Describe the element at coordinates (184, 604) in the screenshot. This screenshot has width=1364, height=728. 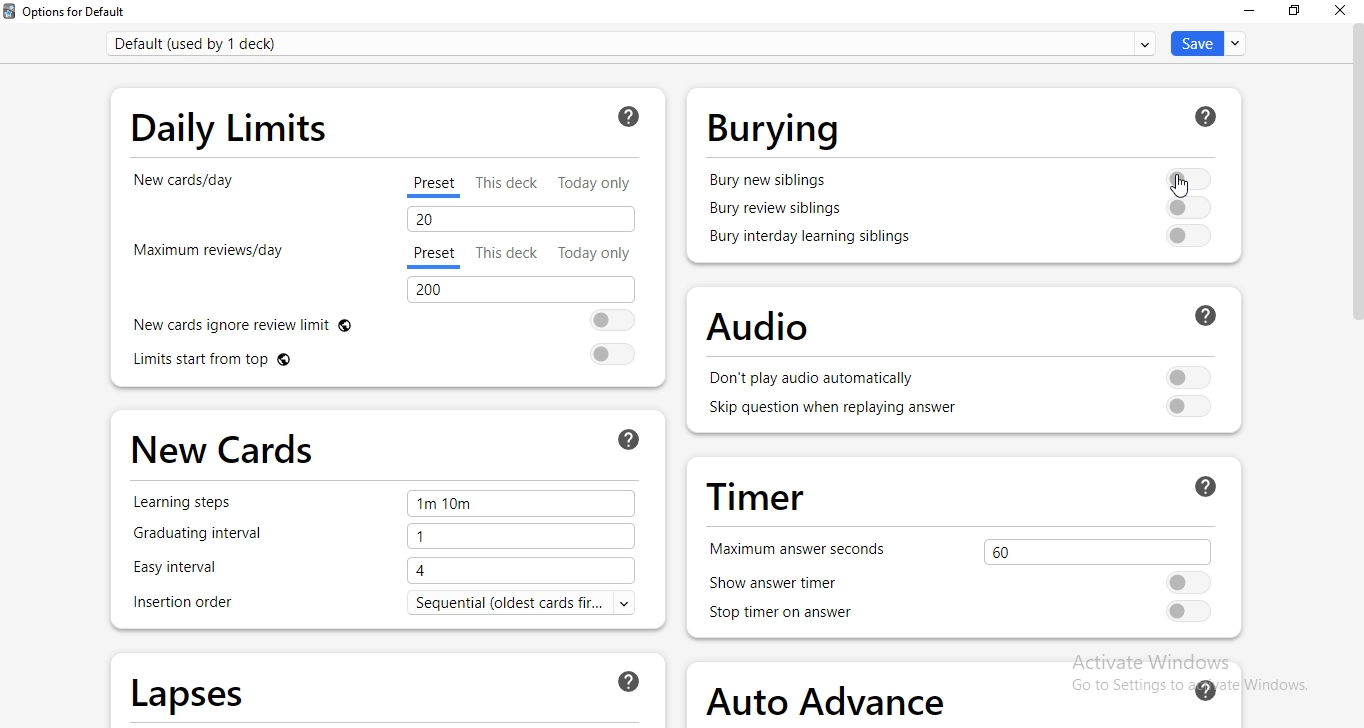
I see `insertion order` at that location.